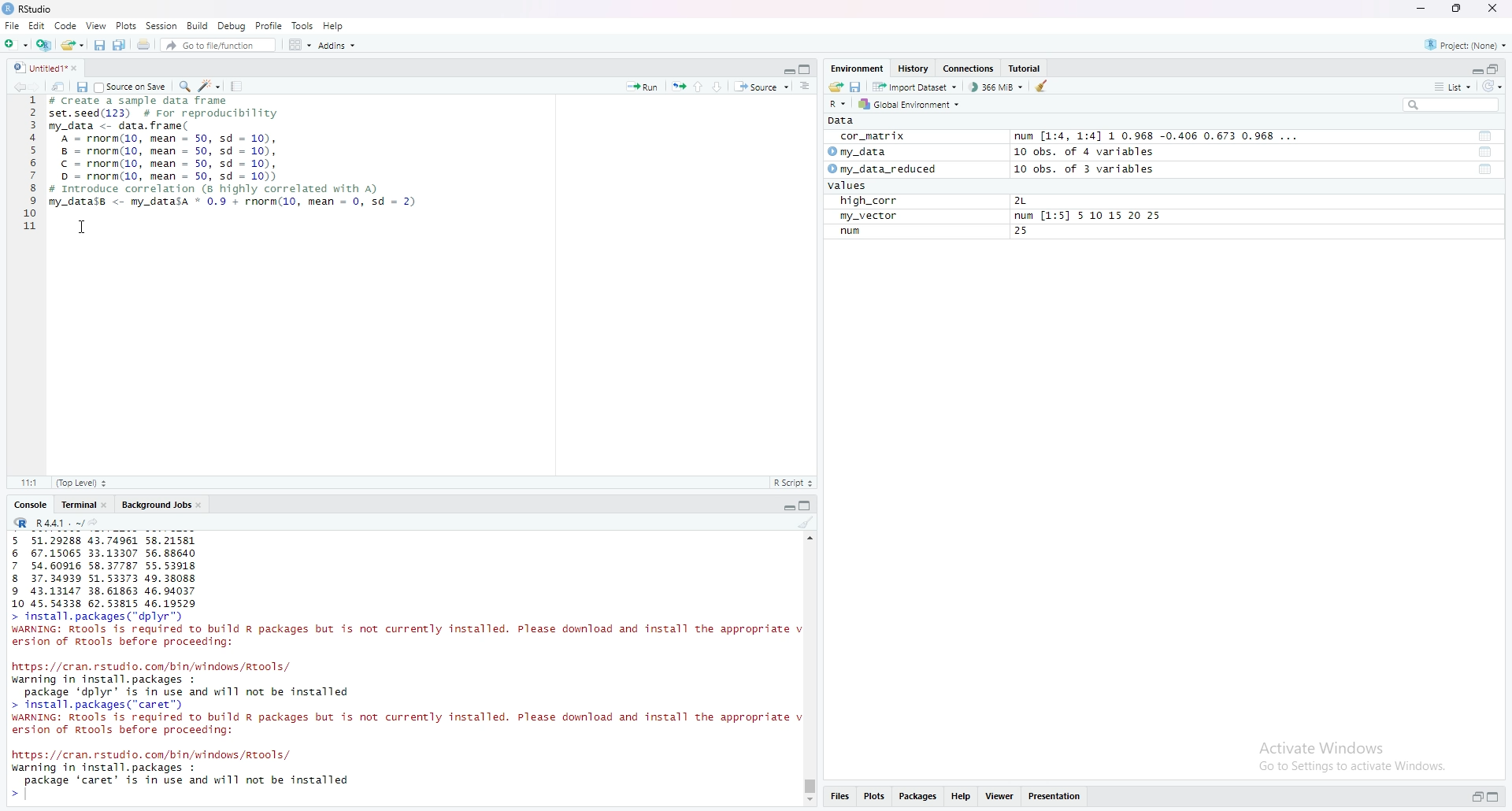 Image resolution: width=1512 pixels, height=811 pixels. What do you see at coordinates (201, 505) in the screenshot?
I see `close` at bounding box center [201, 505].